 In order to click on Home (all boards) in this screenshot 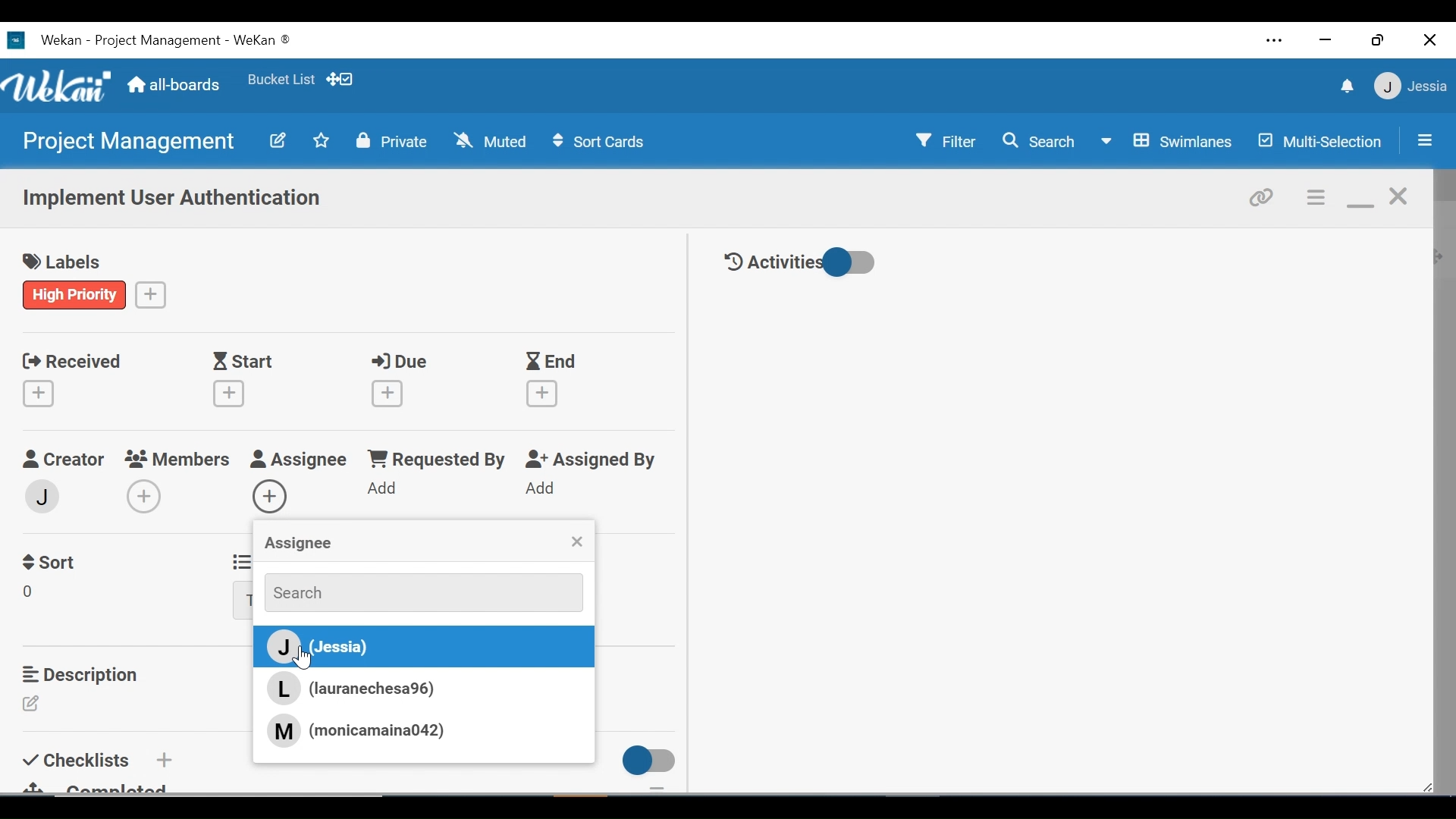, I will do `click(174, 86)`.